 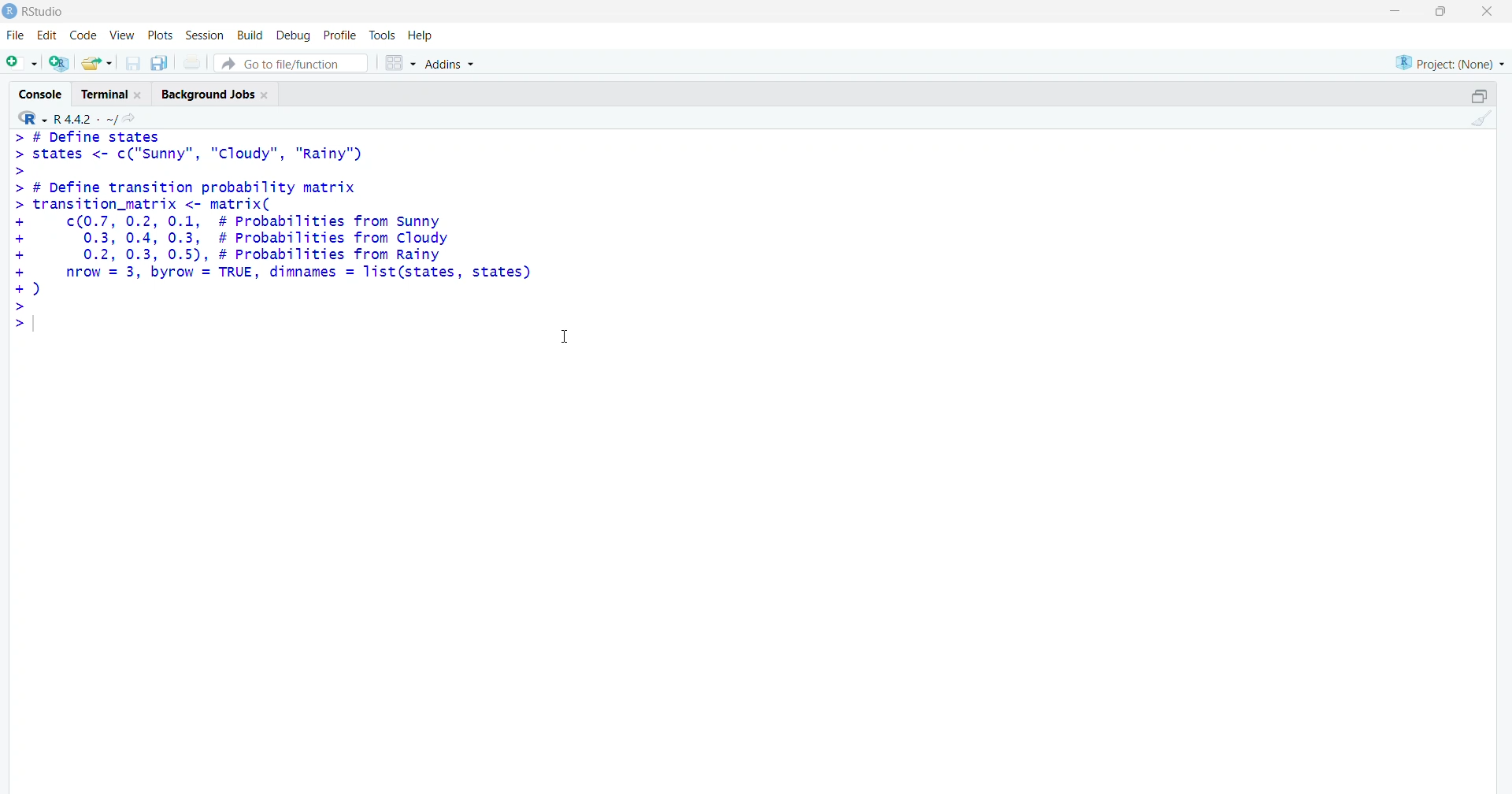 What do you see at coordinates (283, 232) in the screenshot?
I see `> # Define states> states <- c("sunny", "Cloudy", "Rainy")>> # Define transition probability matrix> transition_matrix <- matrix(- c(0.7, 0.2, 0.1, # Probabilities from Sunny+ 0.3, 0.4, 0.3, # Probabilities from Cloudy+ 0.2, 0.3, 0.5), # Probabilities from Rainy- nrow = 3, byrow = TRUE, dimnames = list(states, states)+)>-` at bounding box center [283, 232].